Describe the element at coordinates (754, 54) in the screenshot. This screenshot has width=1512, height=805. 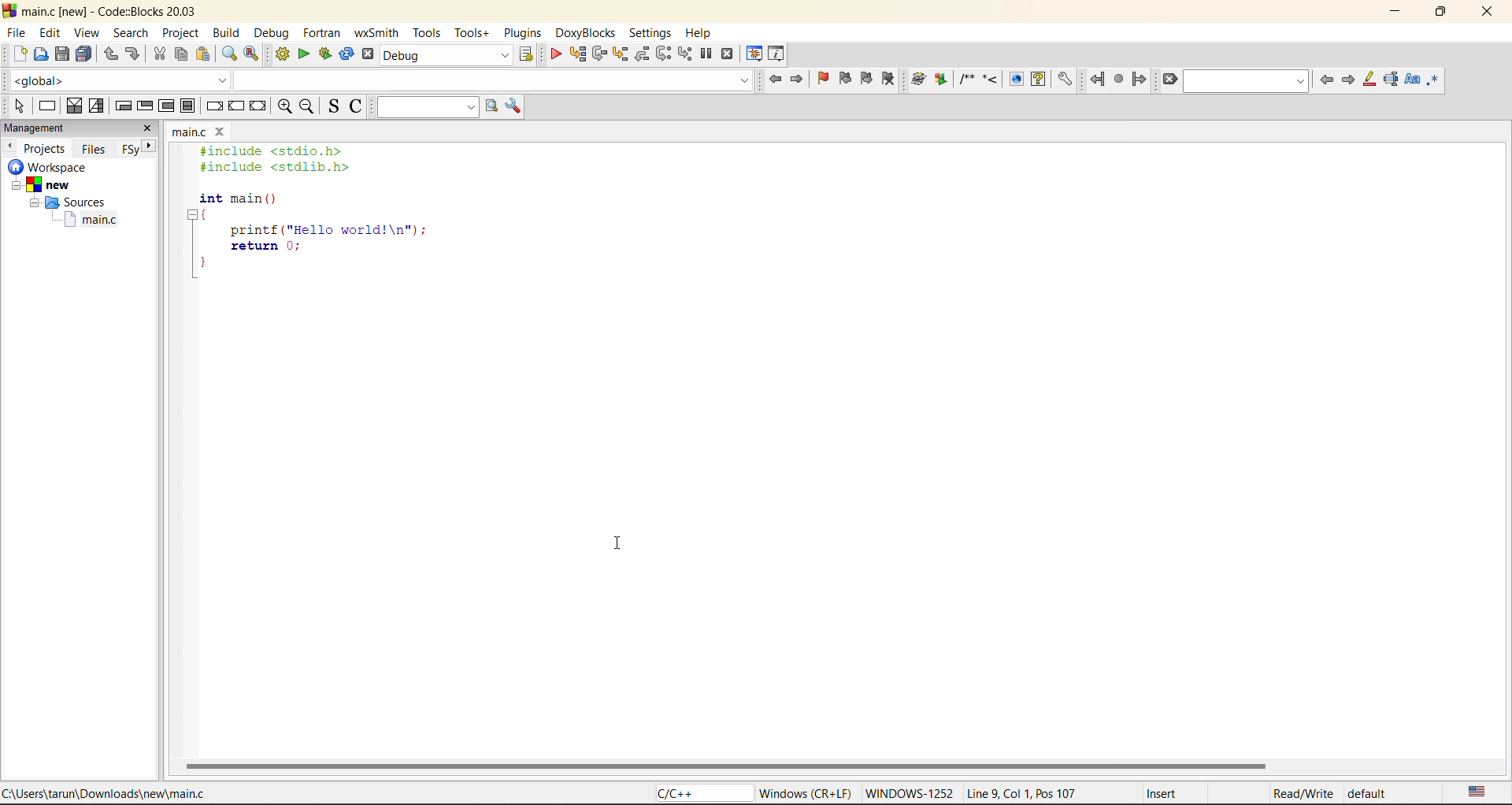
I see `debugging windows` at that location.